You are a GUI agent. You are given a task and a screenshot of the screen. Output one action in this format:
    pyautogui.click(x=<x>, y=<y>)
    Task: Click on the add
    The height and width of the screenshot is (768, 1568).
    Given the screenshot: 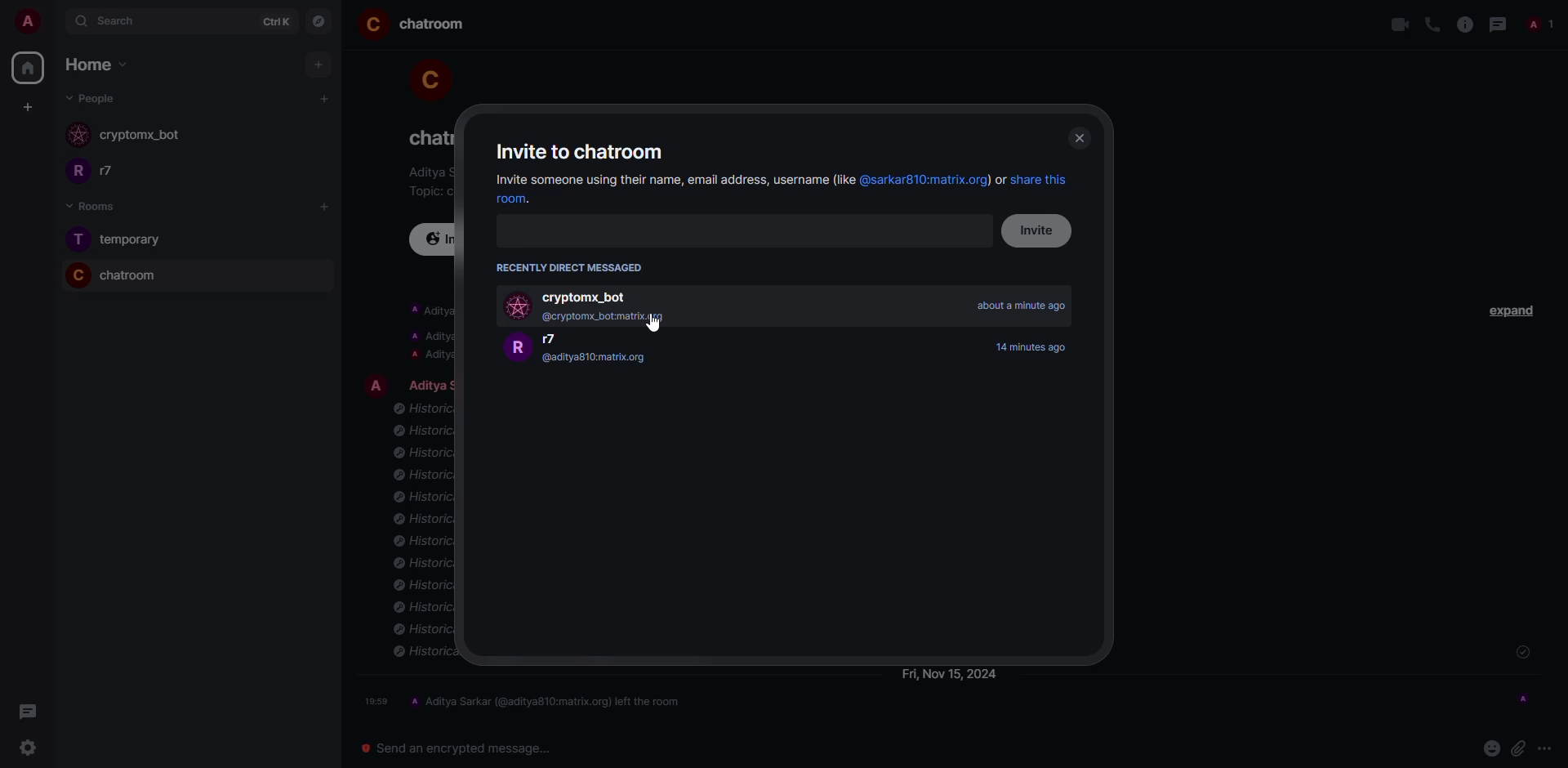 What is the action you would take?
    pyautogui.click(x=318, y=65)
    